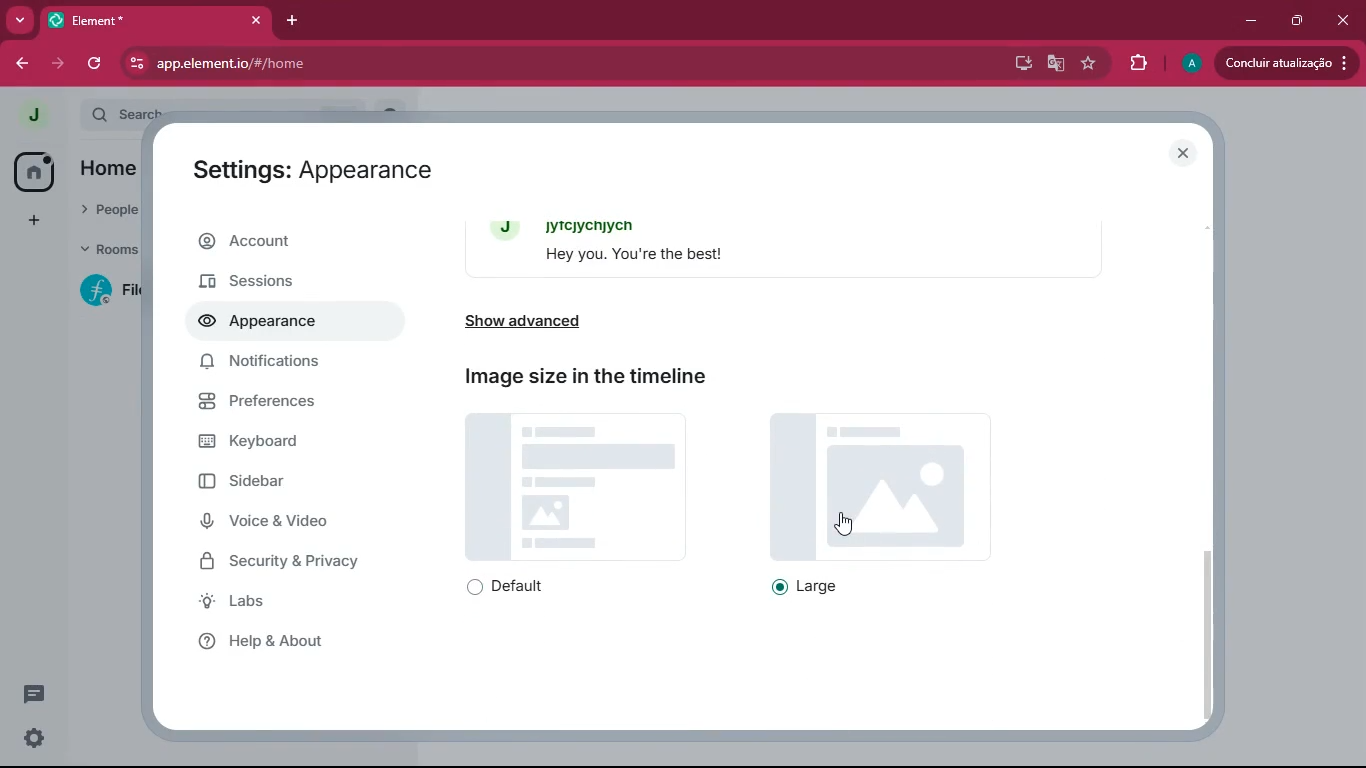 Image resolution: width=1366 pixels, height=768 pixels. Describe the element at coordinates (281, 605) in the screenshot. I see `labs` at that location.